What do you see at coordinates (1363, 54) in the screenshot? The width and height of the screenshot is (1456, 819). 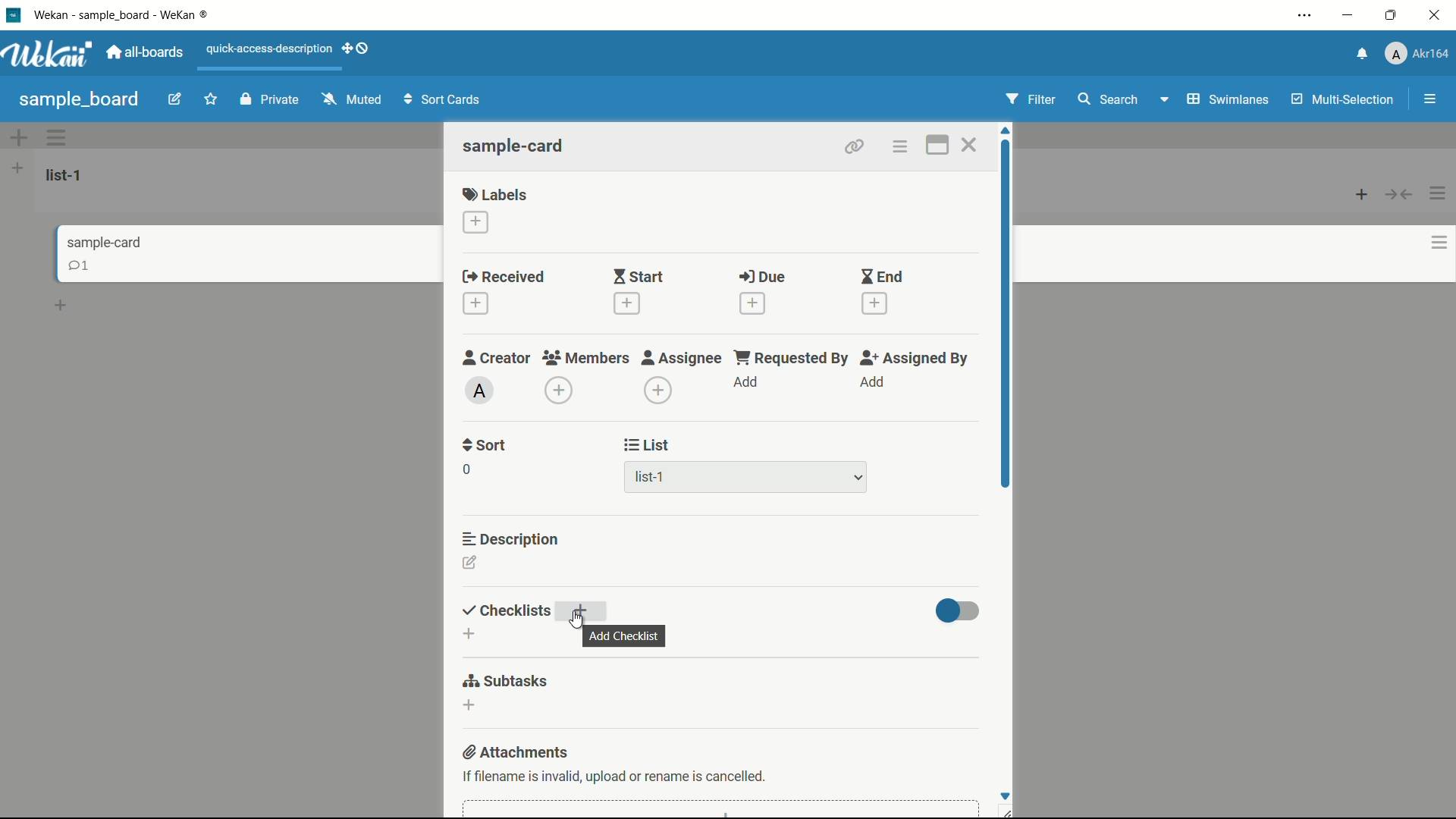 I see `notifications` at bounding box center [1363, 54].